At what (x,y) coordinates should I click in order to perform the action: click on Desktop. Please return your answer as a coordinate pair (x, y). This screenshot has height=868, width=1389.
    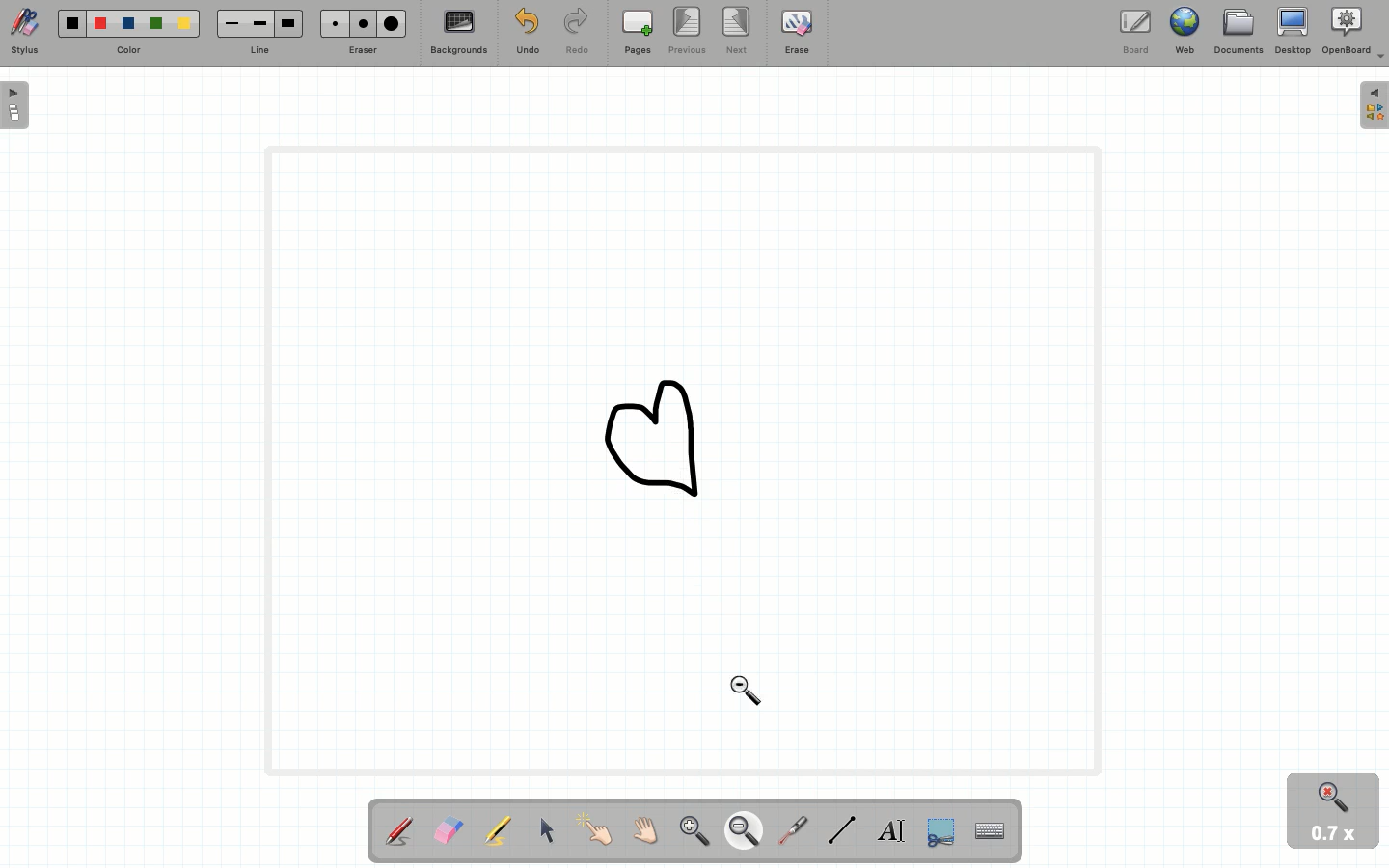
    Looking at the image, I should click on (1292, 31).